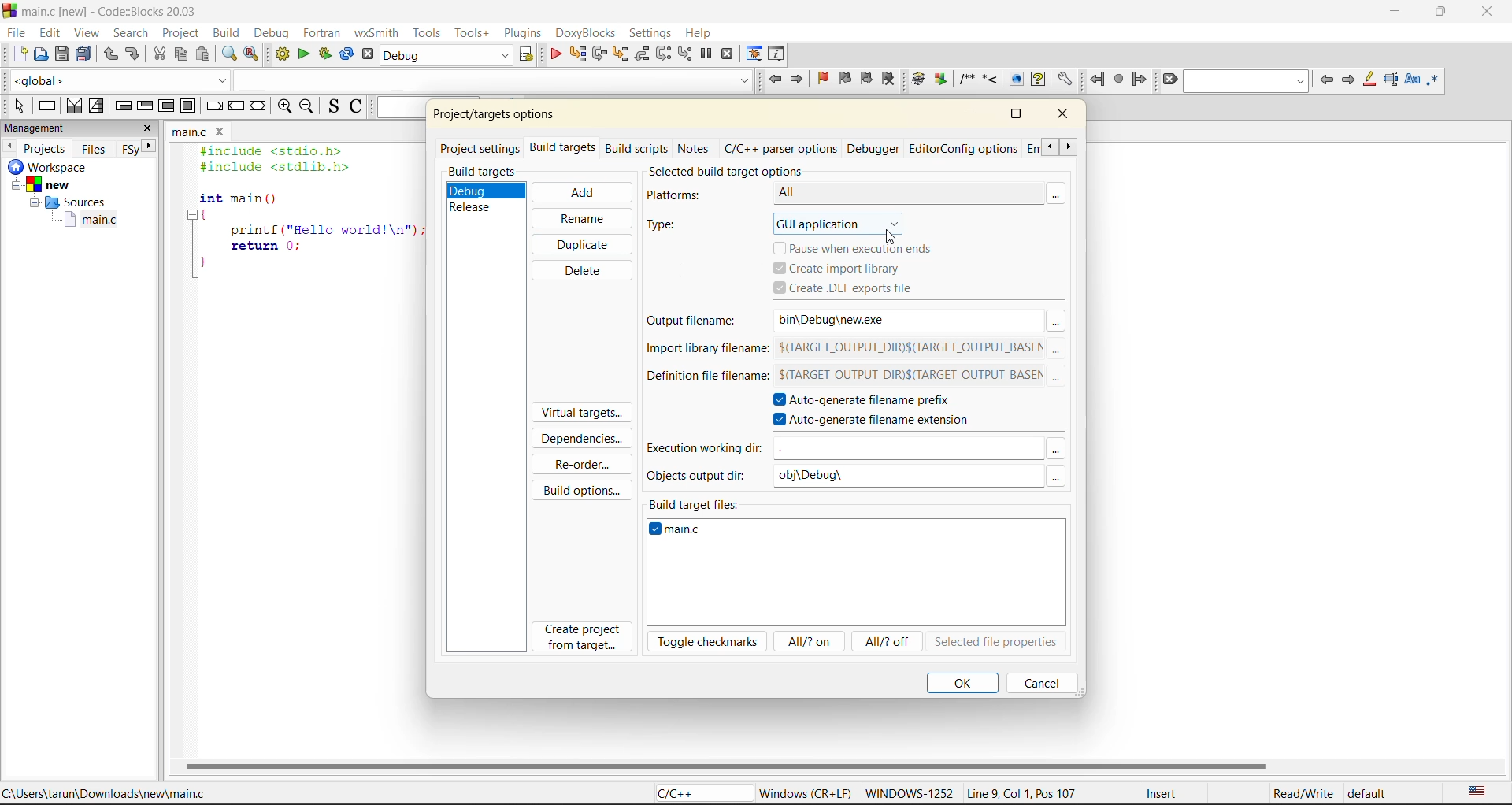 This screenshot has width=1512, height=805. What do you see at coordinates (1444, 14) in the screenshot?
I see `maximize` at bounding box center [1444, 14].